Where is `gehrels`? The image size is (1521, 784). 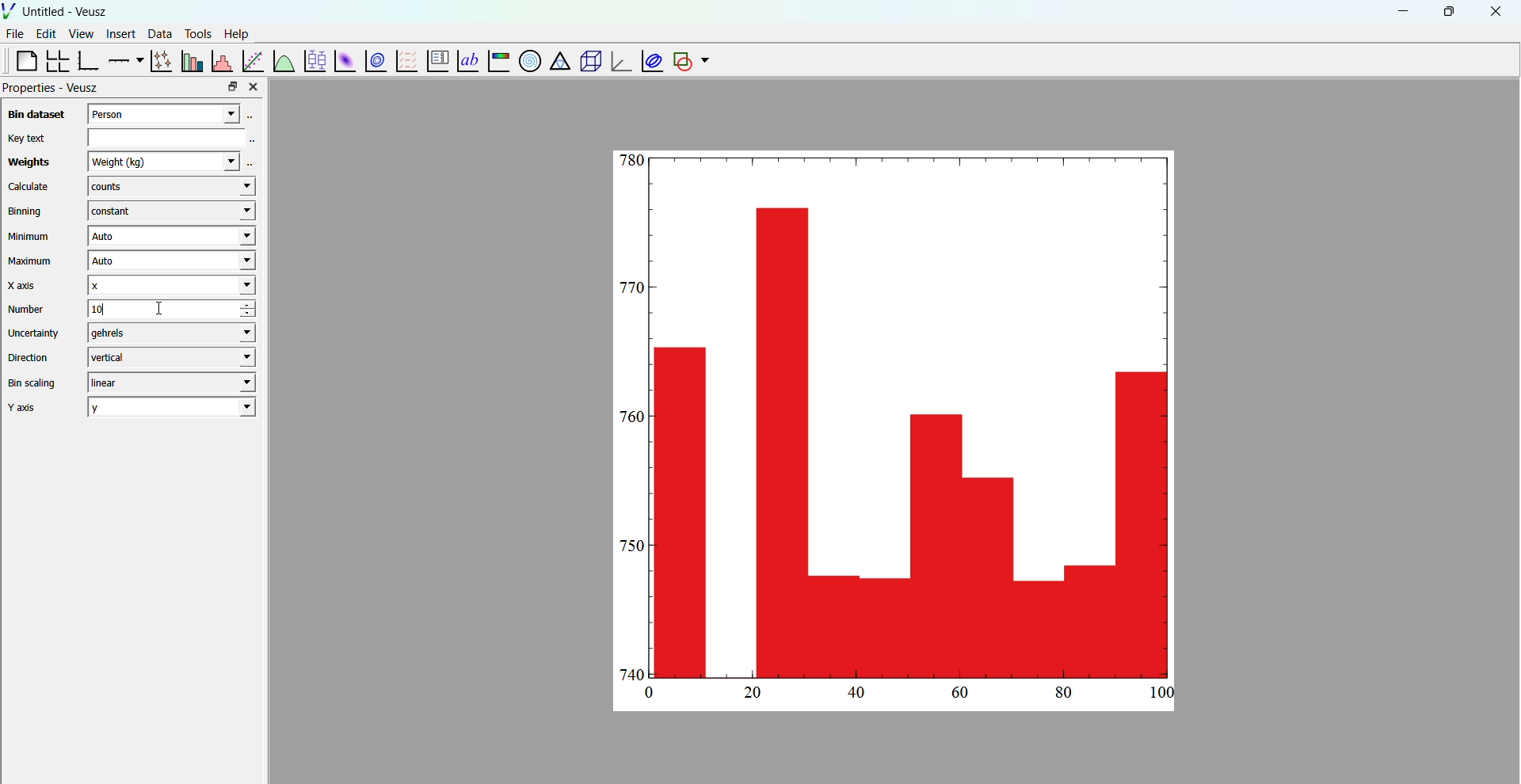
gehrels is located at coordinates (168, 333).